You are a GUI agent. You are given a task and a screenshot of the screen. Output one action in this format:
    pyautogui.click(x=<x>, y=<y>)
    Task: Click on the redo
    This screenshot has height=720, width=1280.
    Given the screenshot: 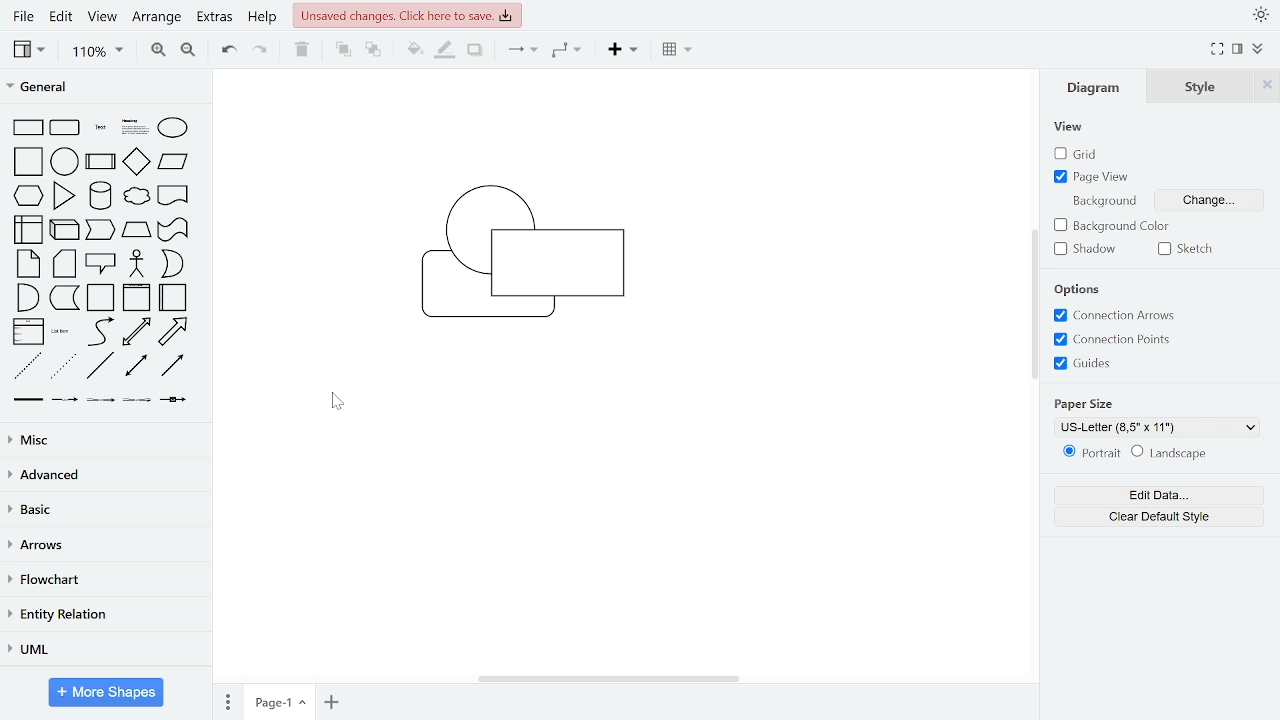 What is the action you would take?
    pyautogui.click(x=259, y=52)
    